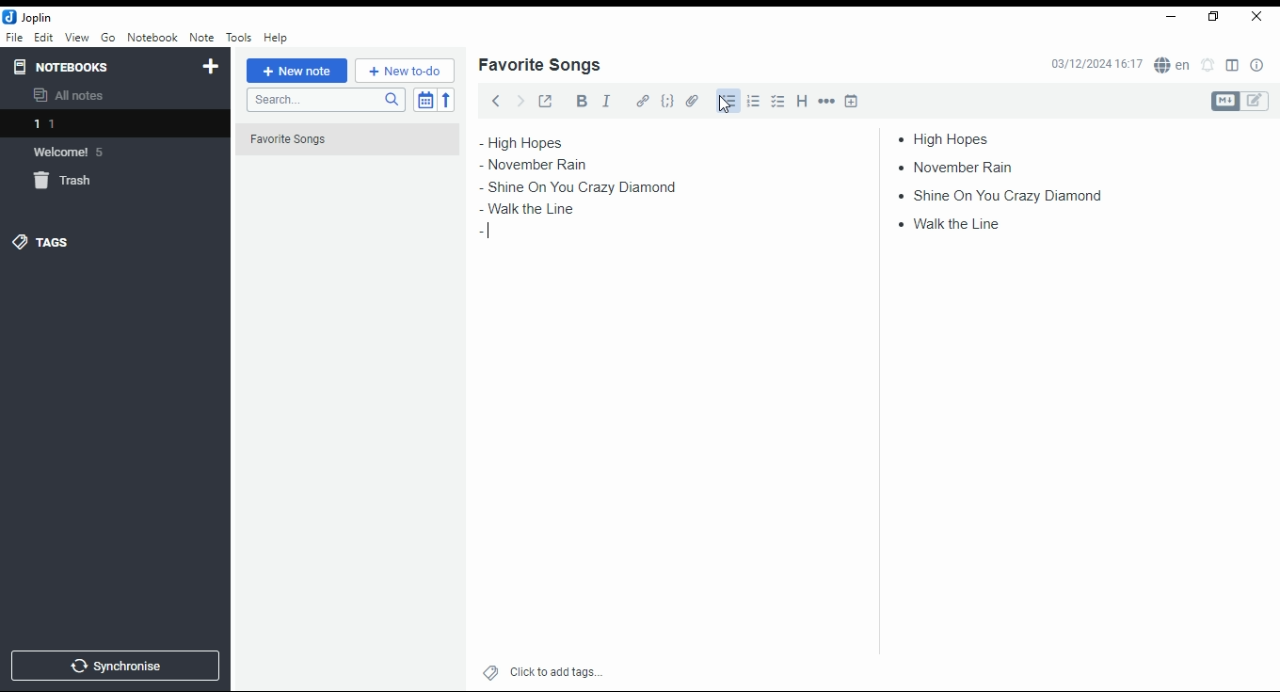  I want to click on icon, so click(30, 17).